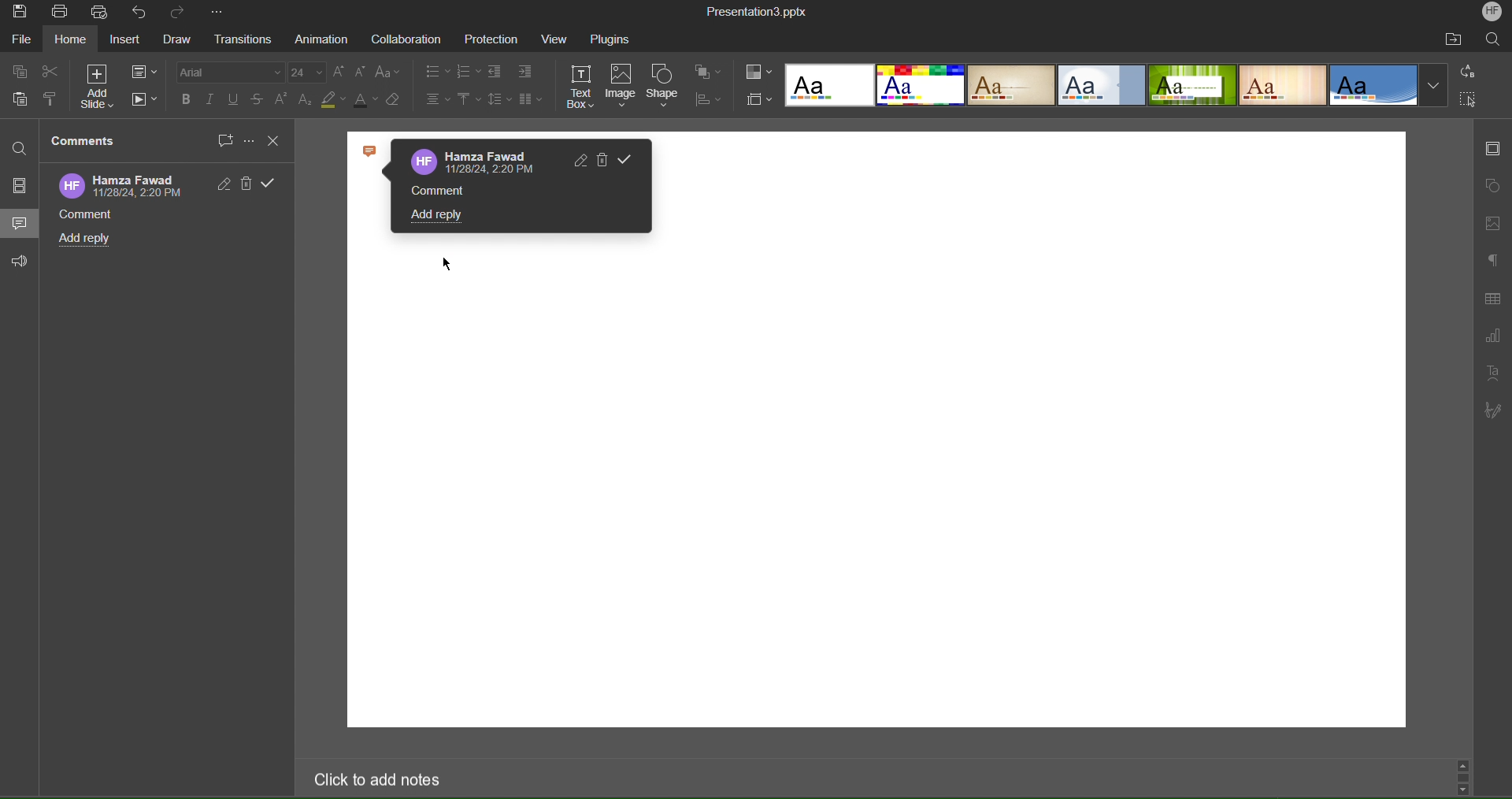  What do you see at coordinates (491, 170) in the screenshot?
I see `date and time` at bounding box center [491, 170].